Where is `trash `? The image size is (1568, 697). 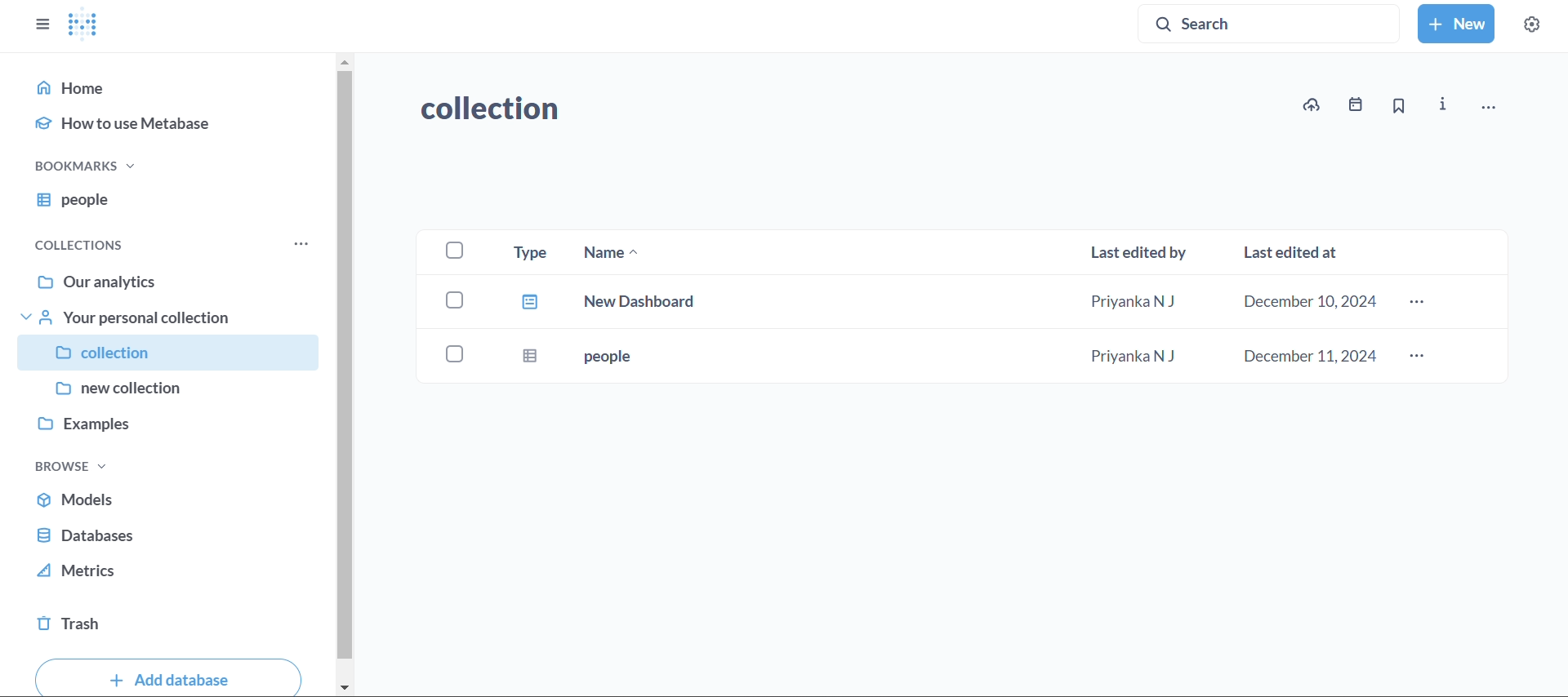
trash  is located at coordinates (161, 621).